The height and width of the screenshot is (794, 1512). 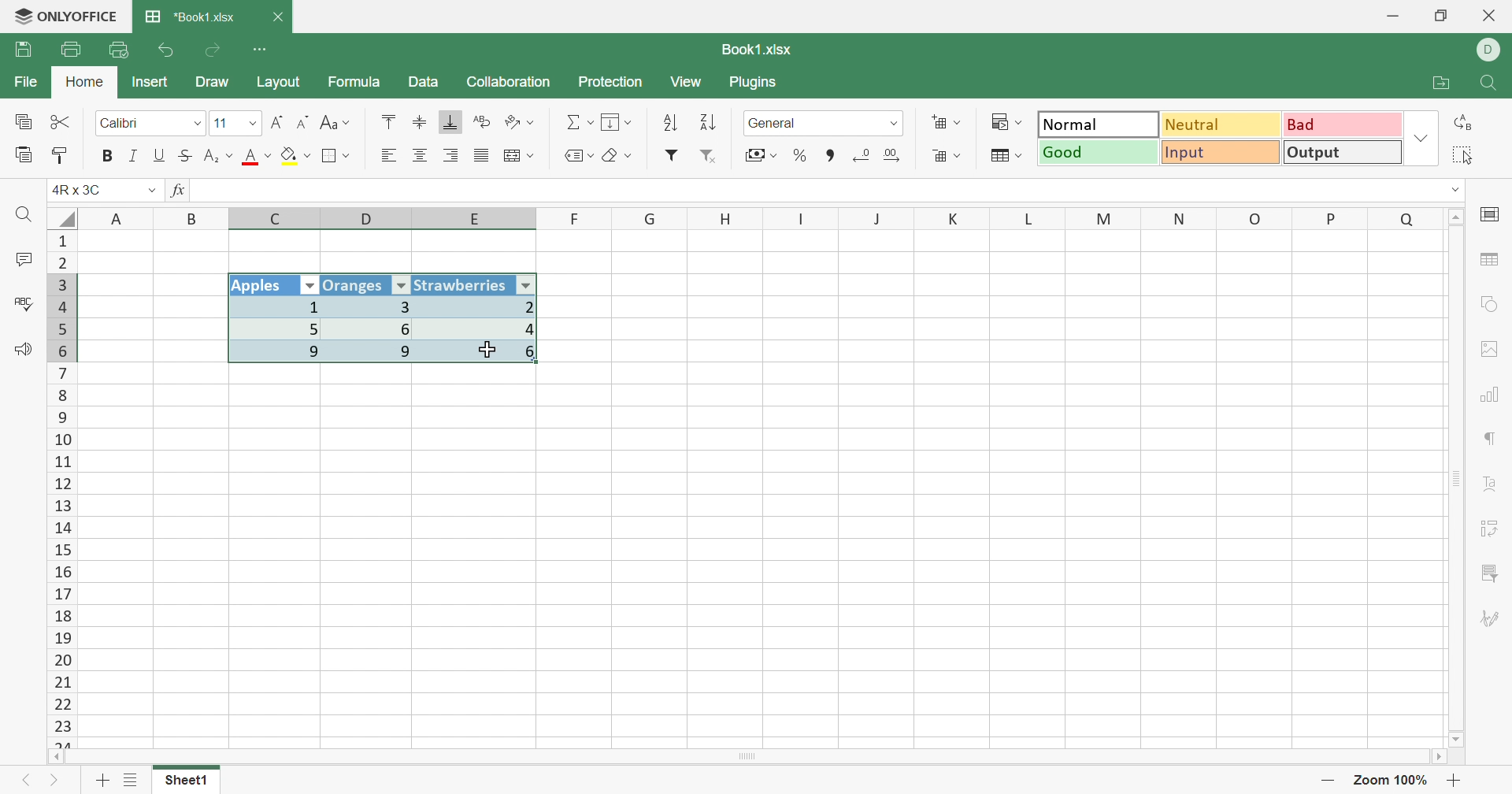 I want to click on Home, so click(x=84, y=83).